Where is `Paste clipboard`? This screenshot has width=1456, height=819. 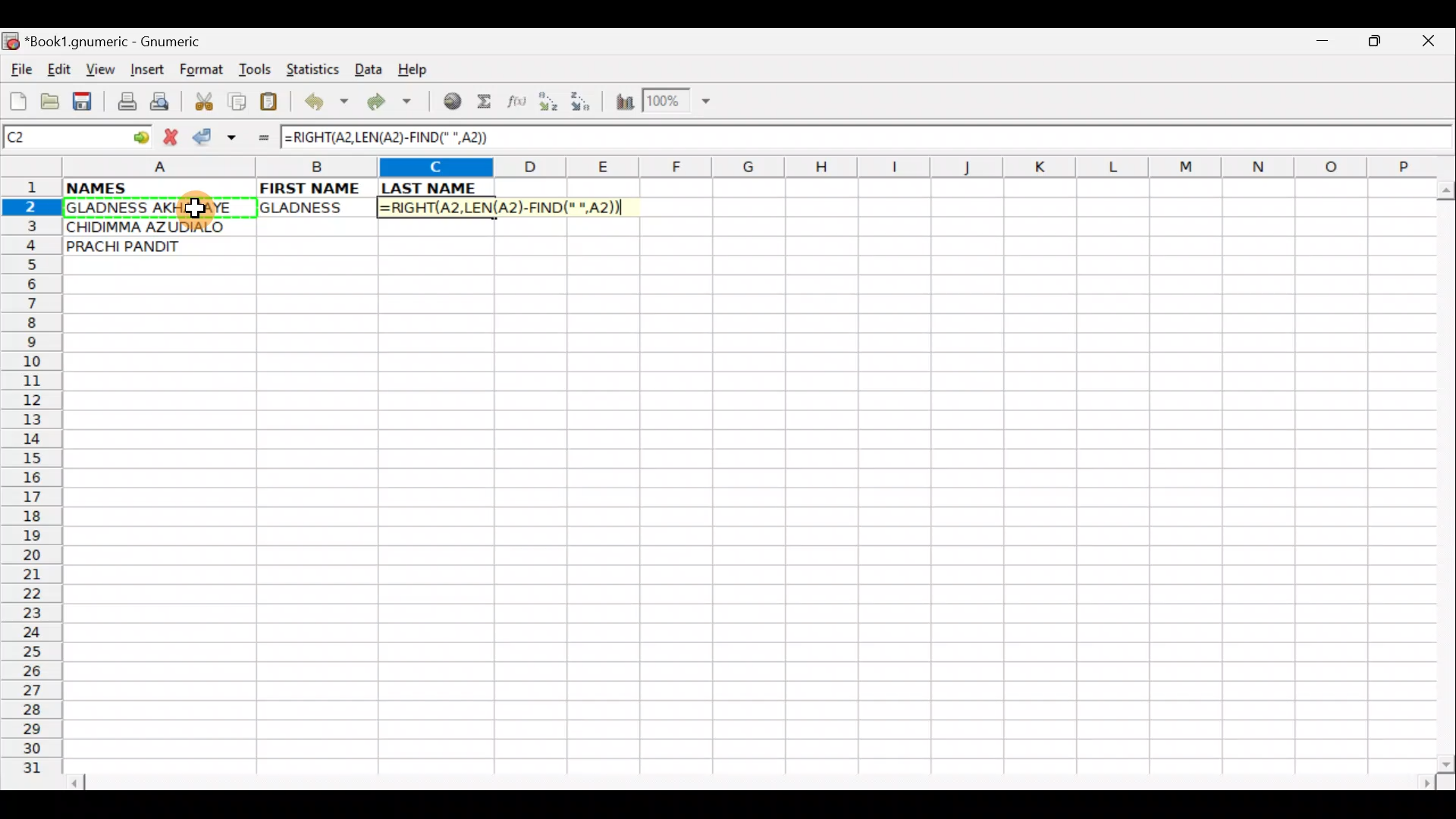 Paste clipboard is located at coordinates (274, 104).